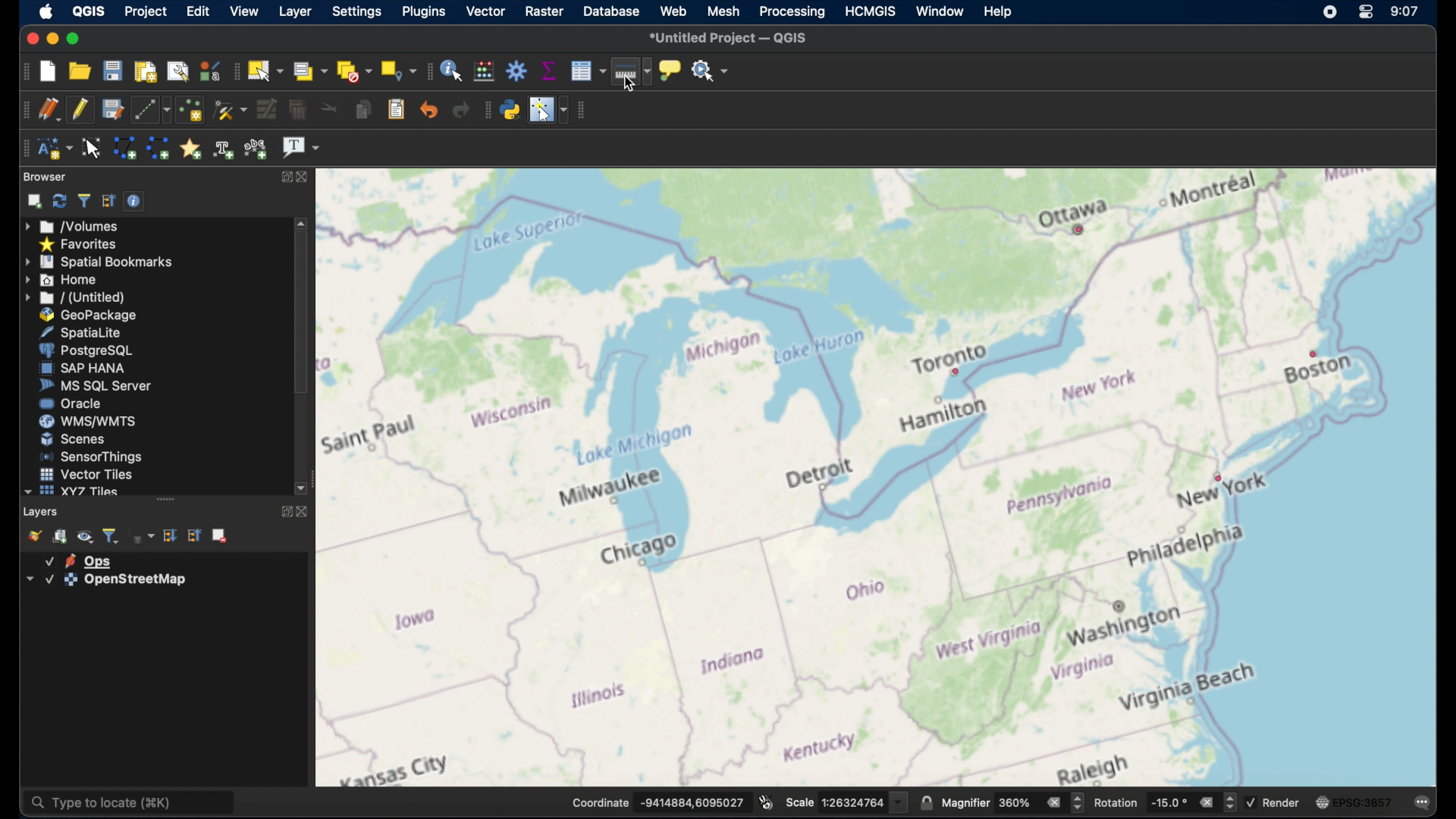 The height and width of the screenshot is (819, 1456). What do you see at coordinates (124, 149) in the screenshot?
I see `create polygon annotation` at bounding box center [124, 149].